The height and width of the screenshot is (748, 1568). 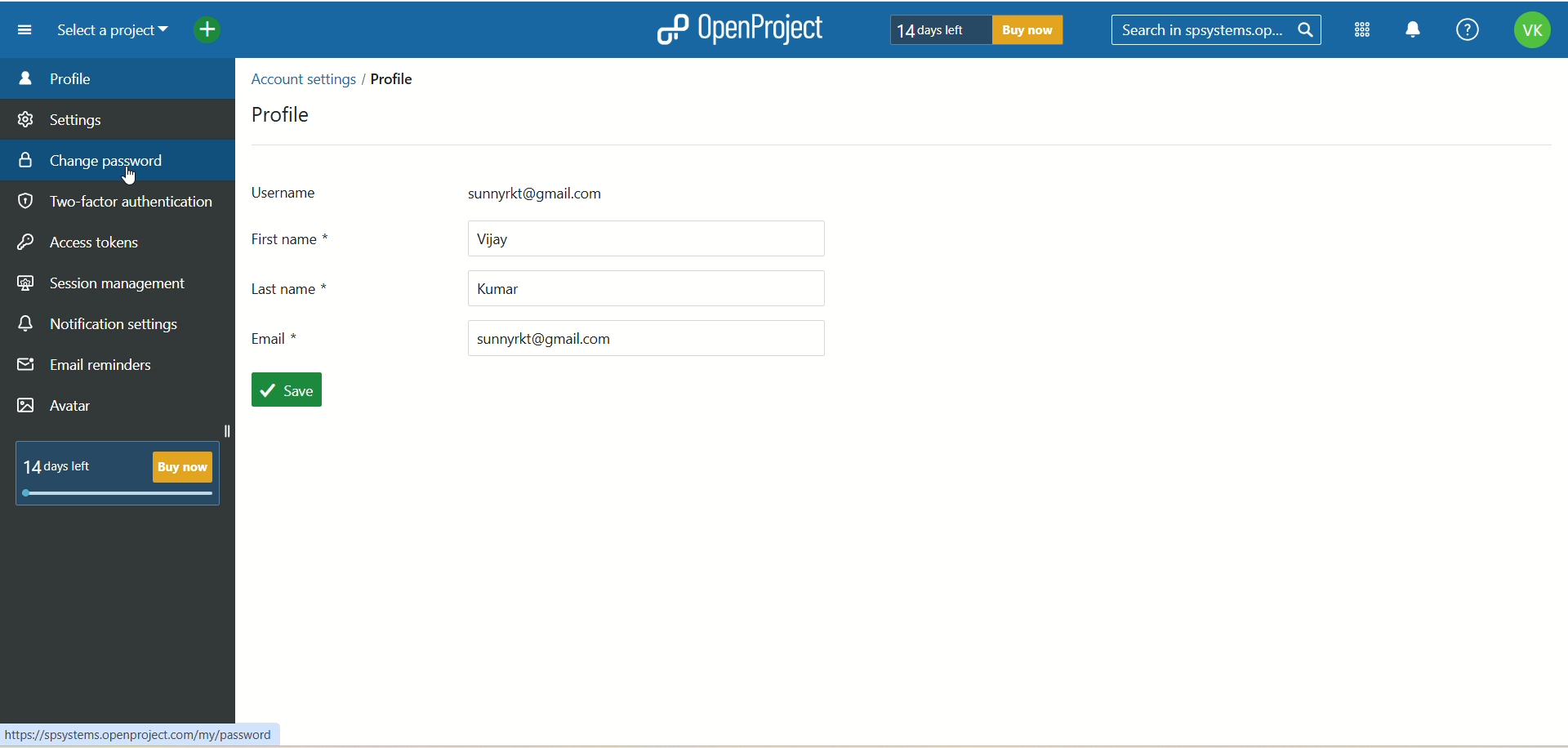 I want to click on add menu, so click(x=209, y=32).